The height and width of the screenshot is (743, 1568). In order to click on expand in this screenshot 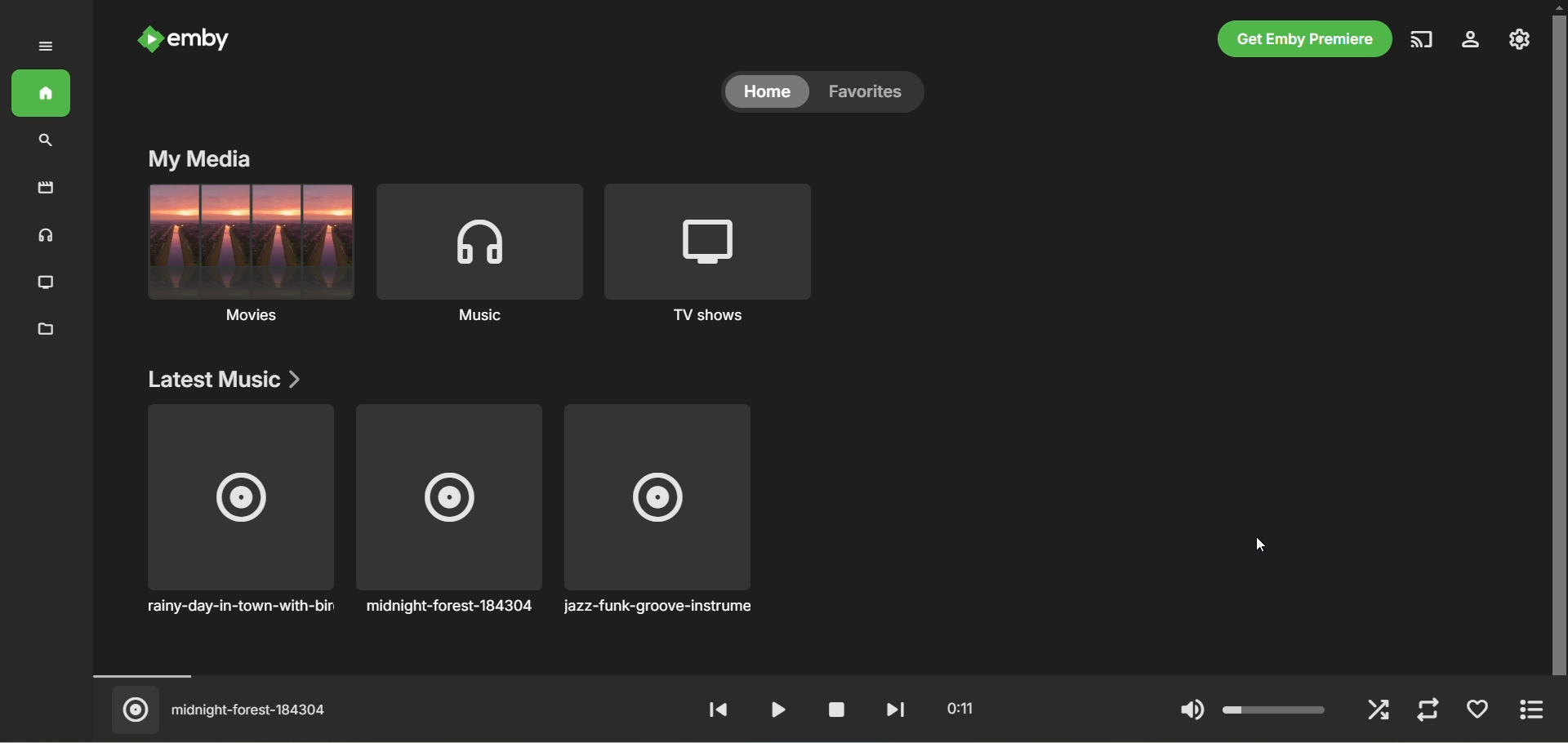, I will do `click(48, 47)`.